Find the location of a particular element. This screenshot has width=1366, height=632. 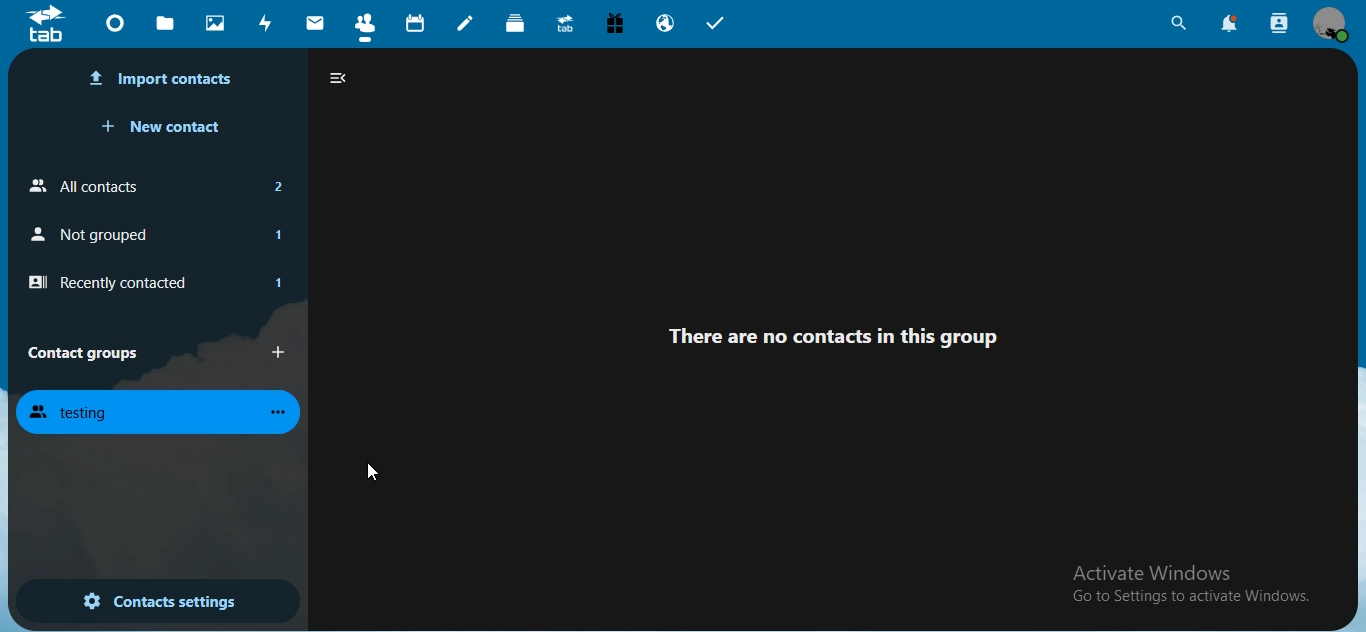

synology is located at coordinates (565, 22).